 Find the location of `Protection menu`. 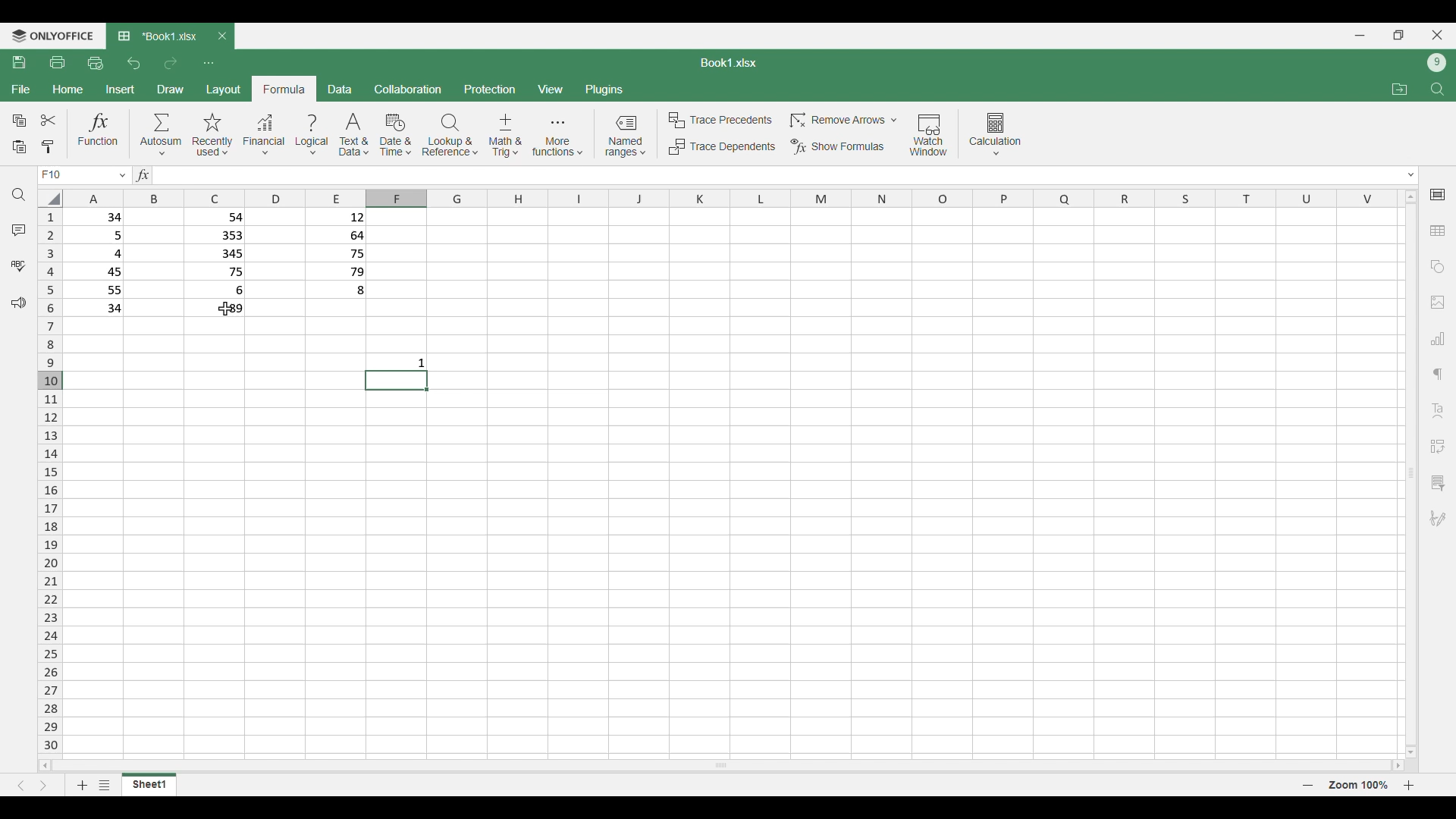

Protection menu is located at coordinates (490, 89).